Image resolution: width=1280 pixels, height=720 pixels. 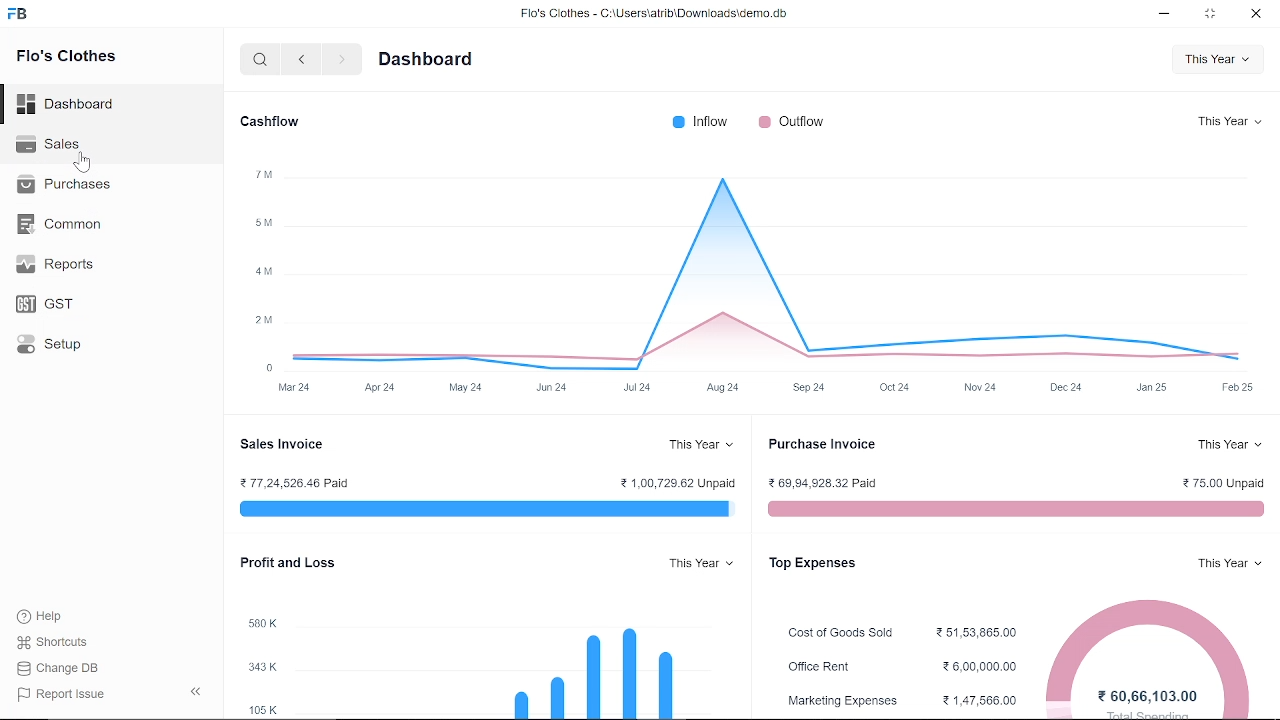 I want to click on Outflow, so click(x=791, y=119).